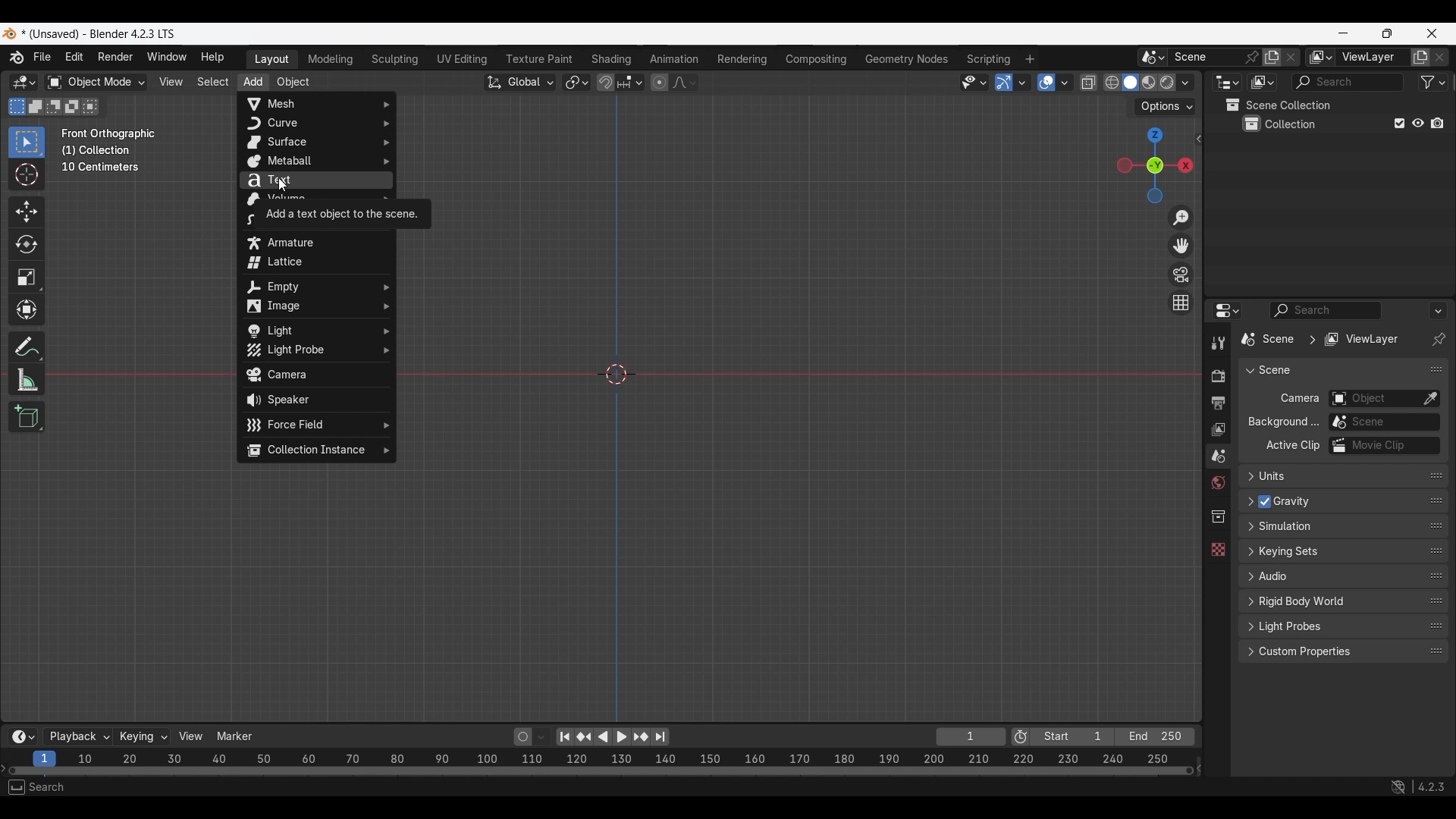 This screenshot has width=1456, height=819. Describe the element at coordinates (674, 60) in the screenshot. I see `Animation workspace` at that location.